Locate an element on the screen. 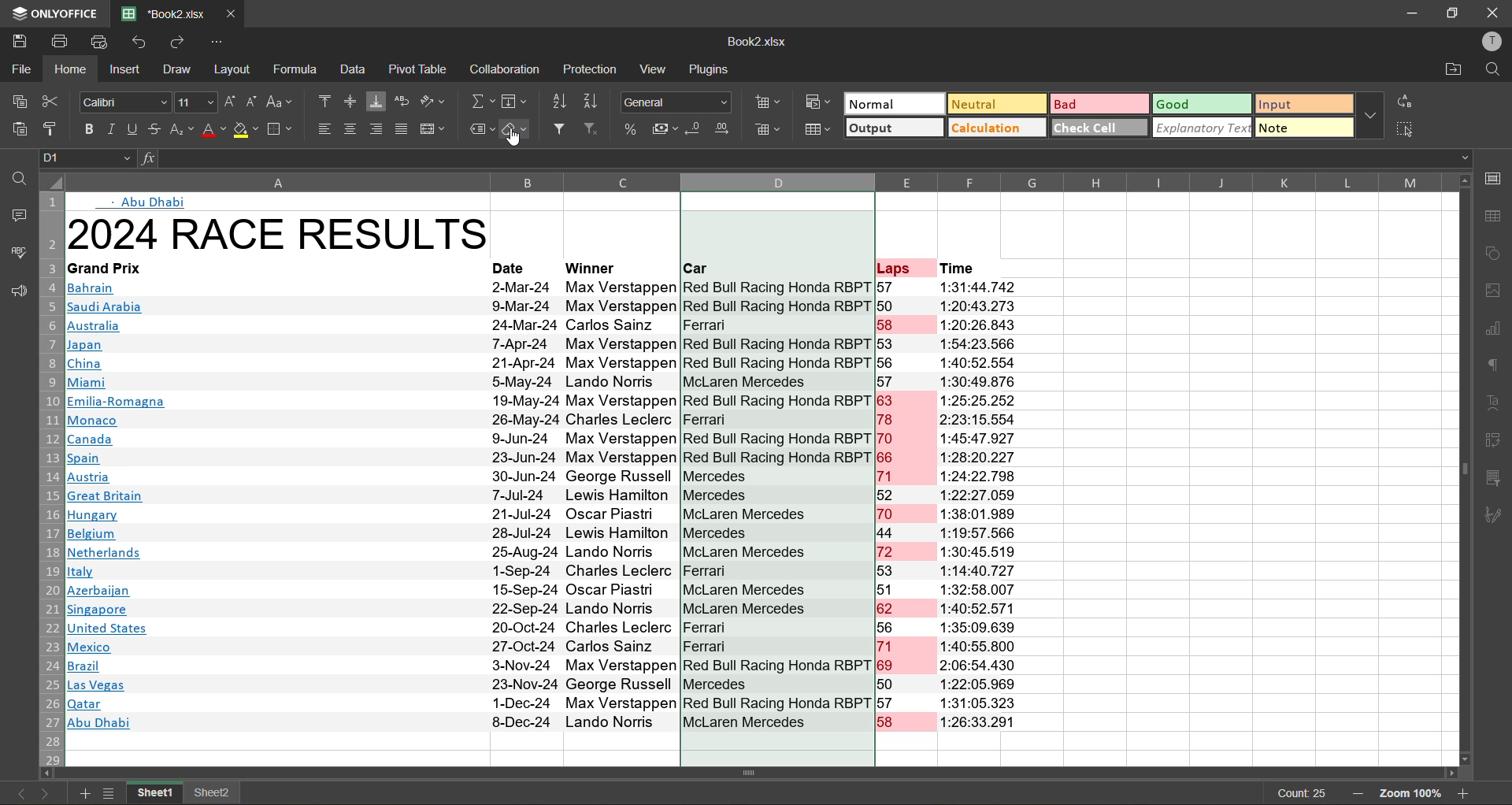 This screenshot has width=1512, height=805. zoom in is located at coordinates (1466, 795).